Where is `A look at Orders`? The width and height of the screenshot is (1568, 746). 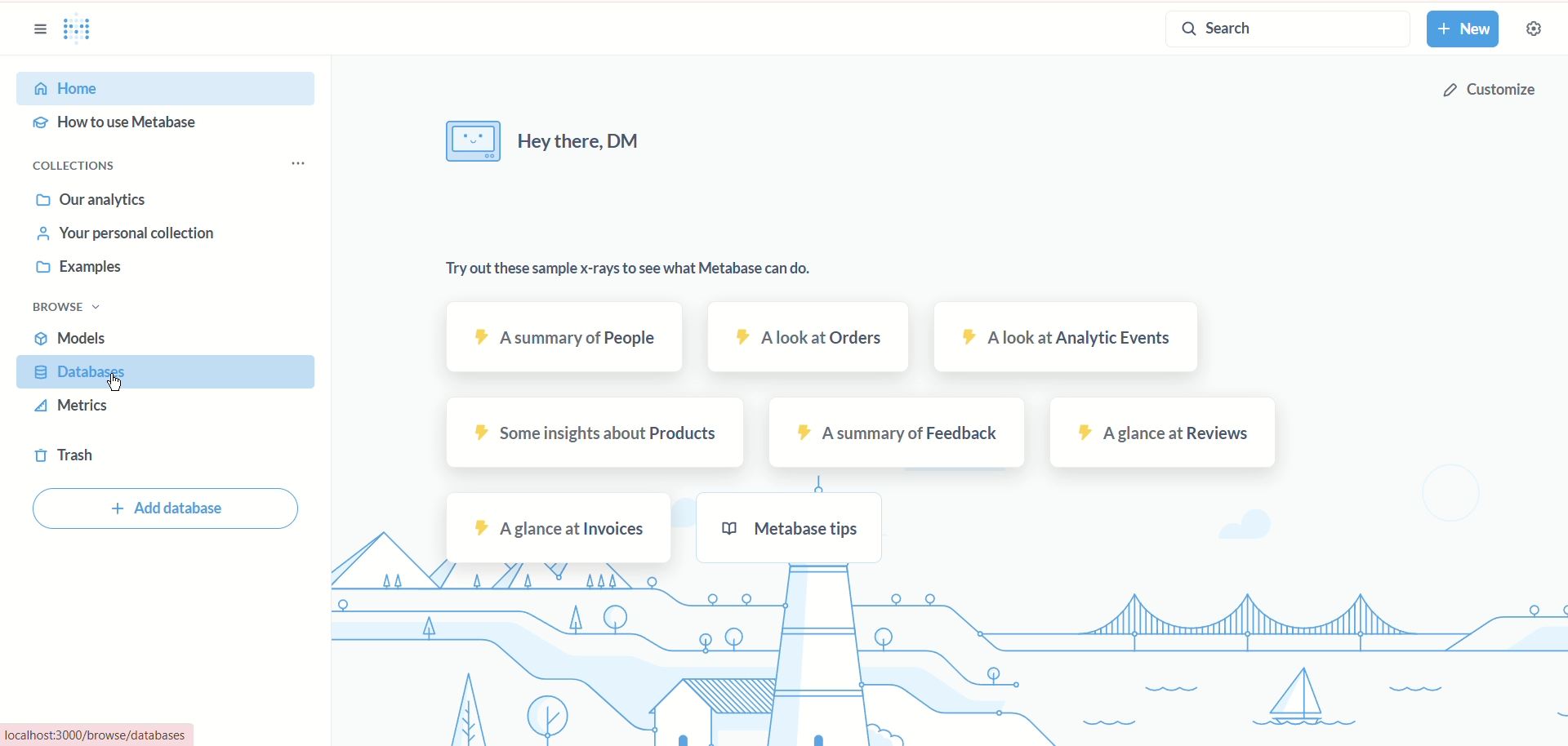 A look at Orders is located at coordinates (806, 335).